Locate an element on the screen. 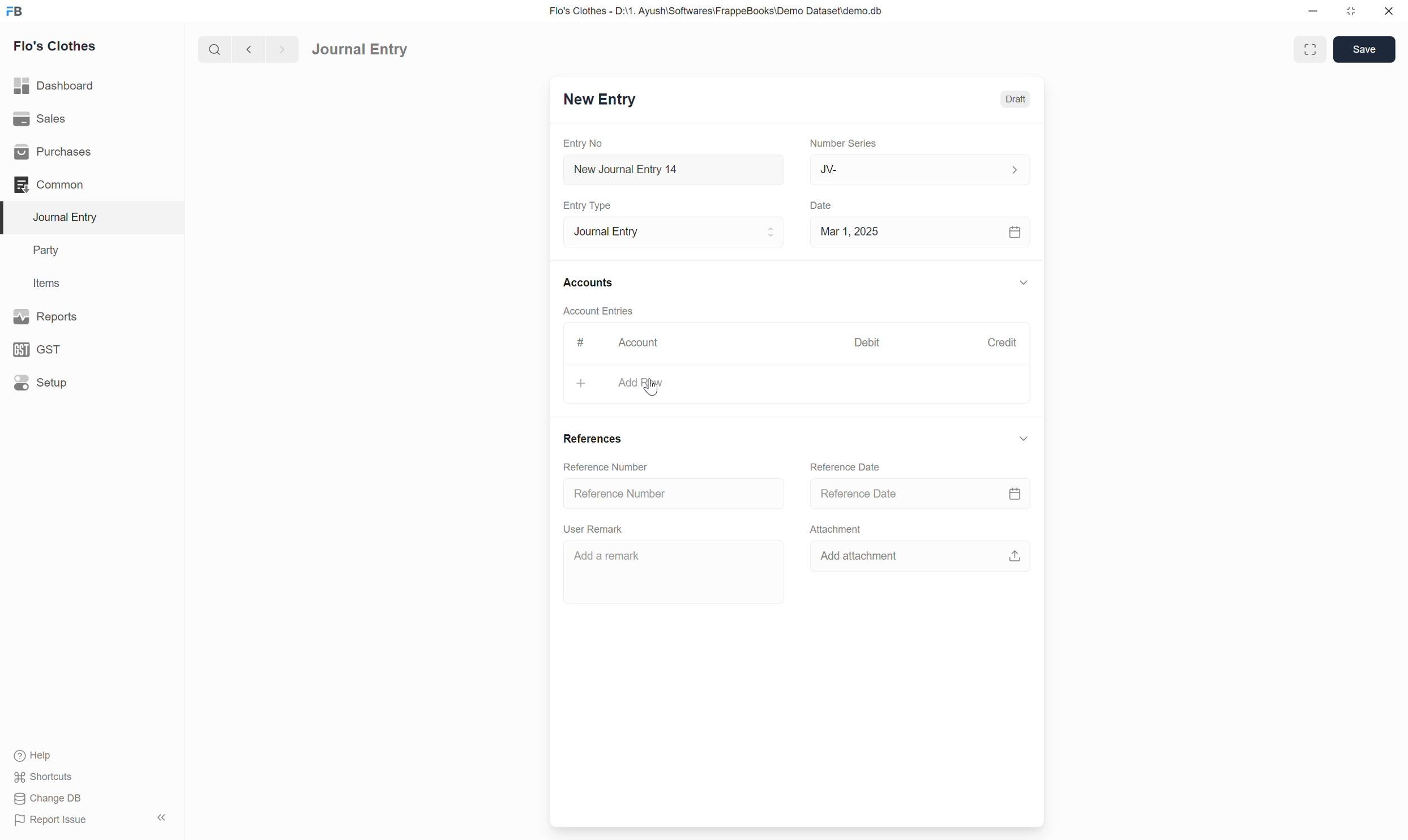  Flo's Clothes is located at coordinates (57, 46).